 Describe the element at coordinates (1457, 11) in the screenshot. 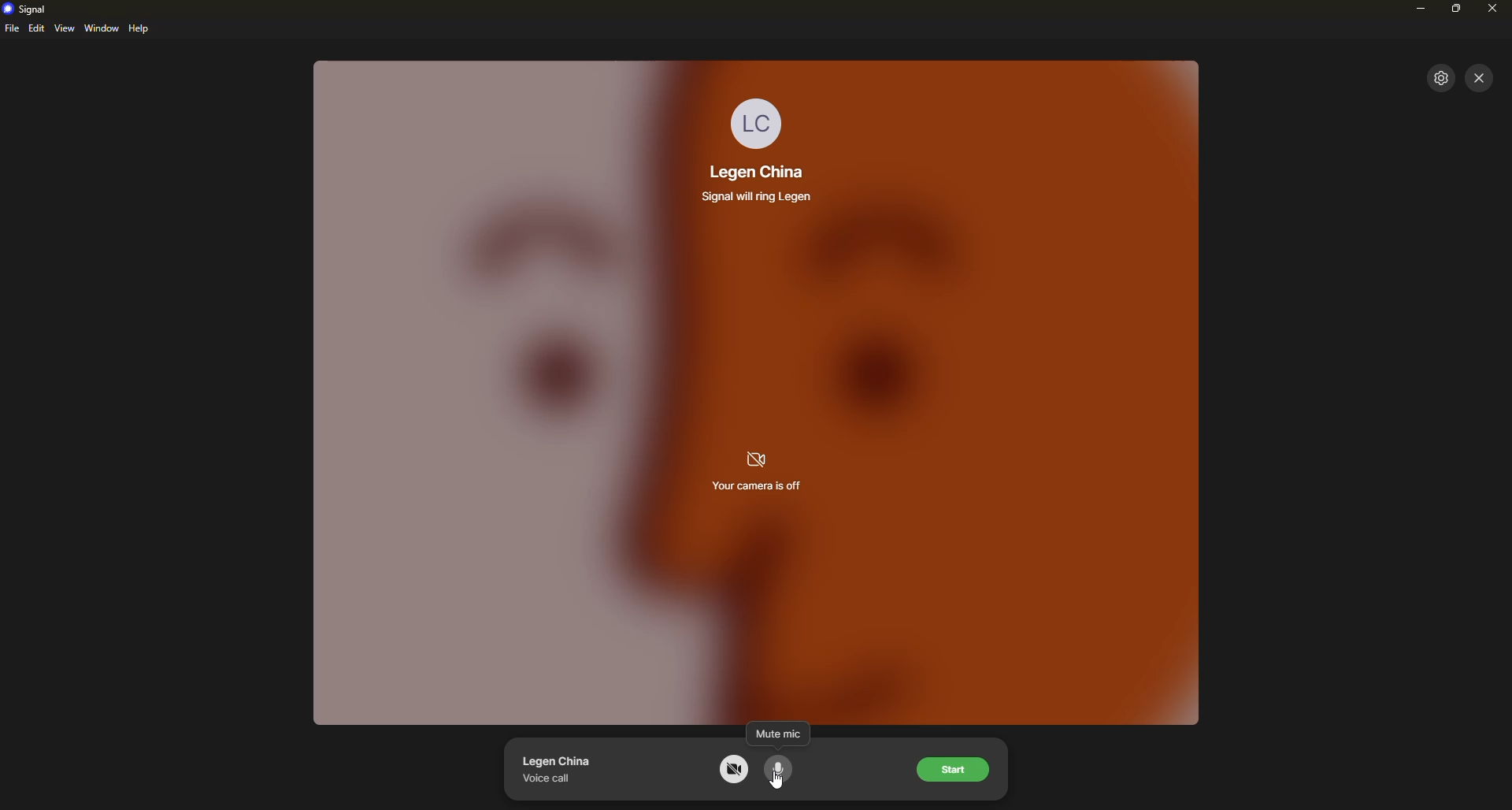

I see `maximize` at that location.